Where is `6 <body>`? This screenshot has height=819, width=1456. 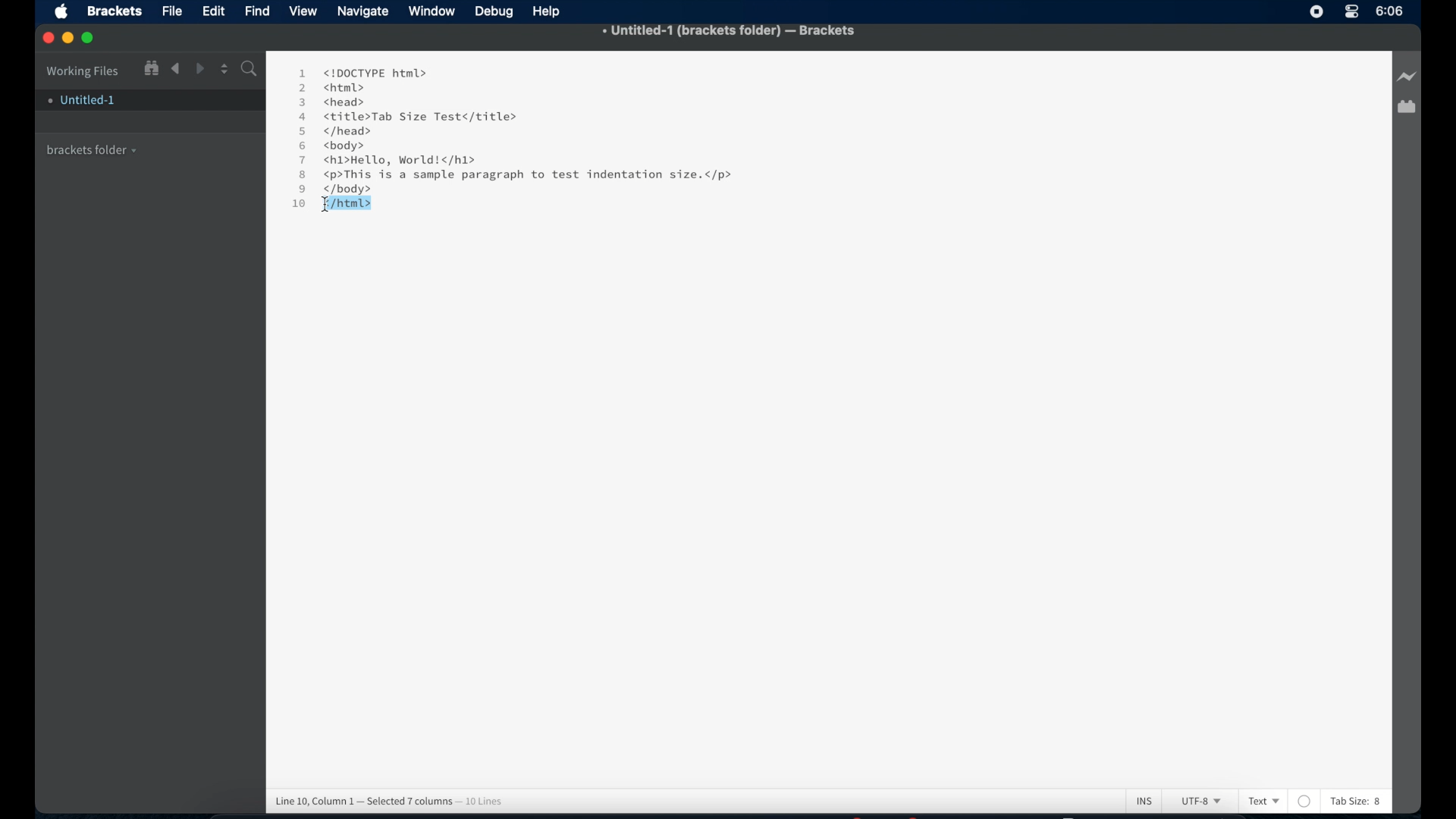
6 <body> is located at coordinates (337, 146).